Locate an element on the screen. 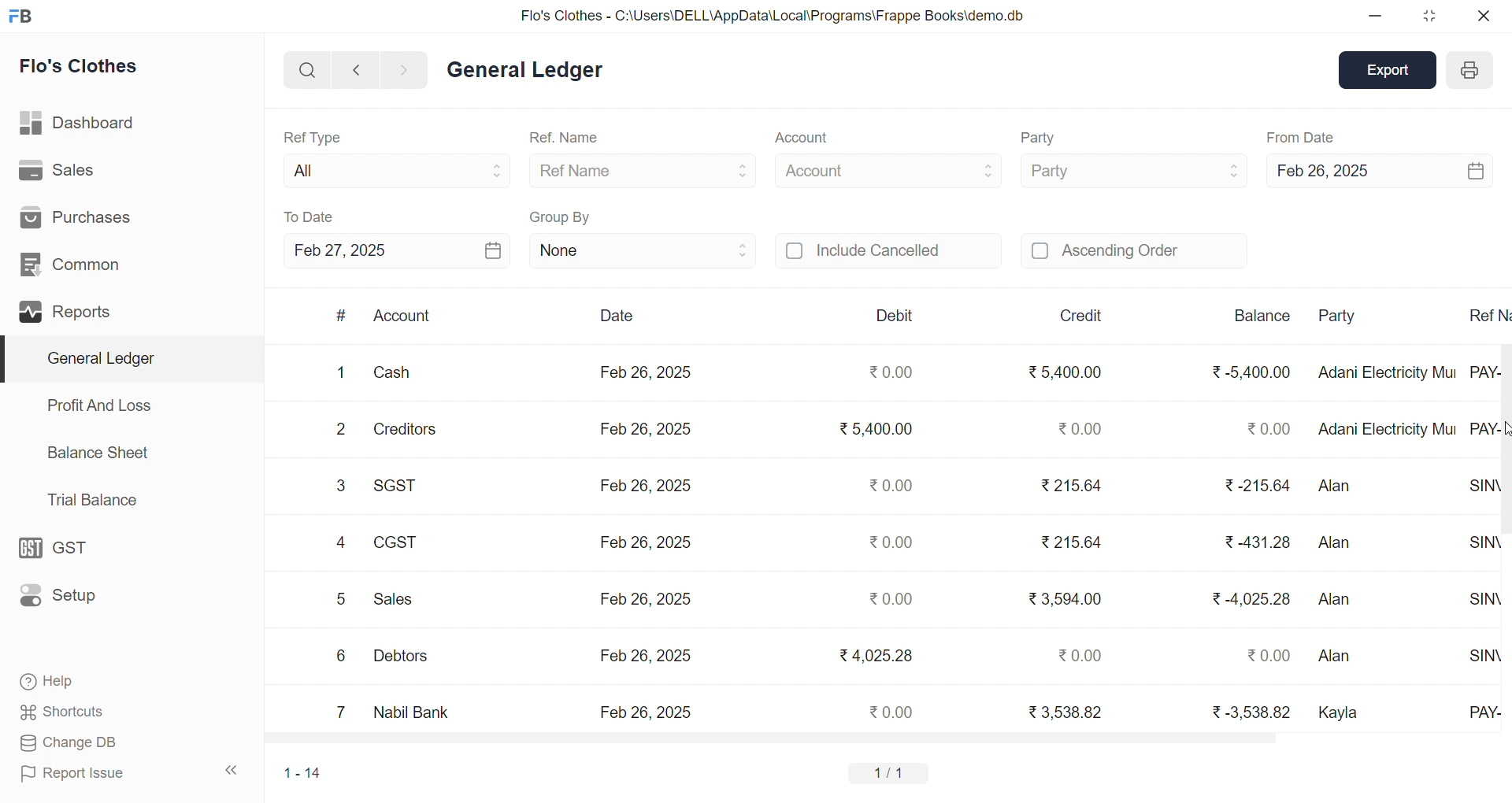 The width and height of the screenshot is (1512, 803). # is located at coordinates (341, 316).